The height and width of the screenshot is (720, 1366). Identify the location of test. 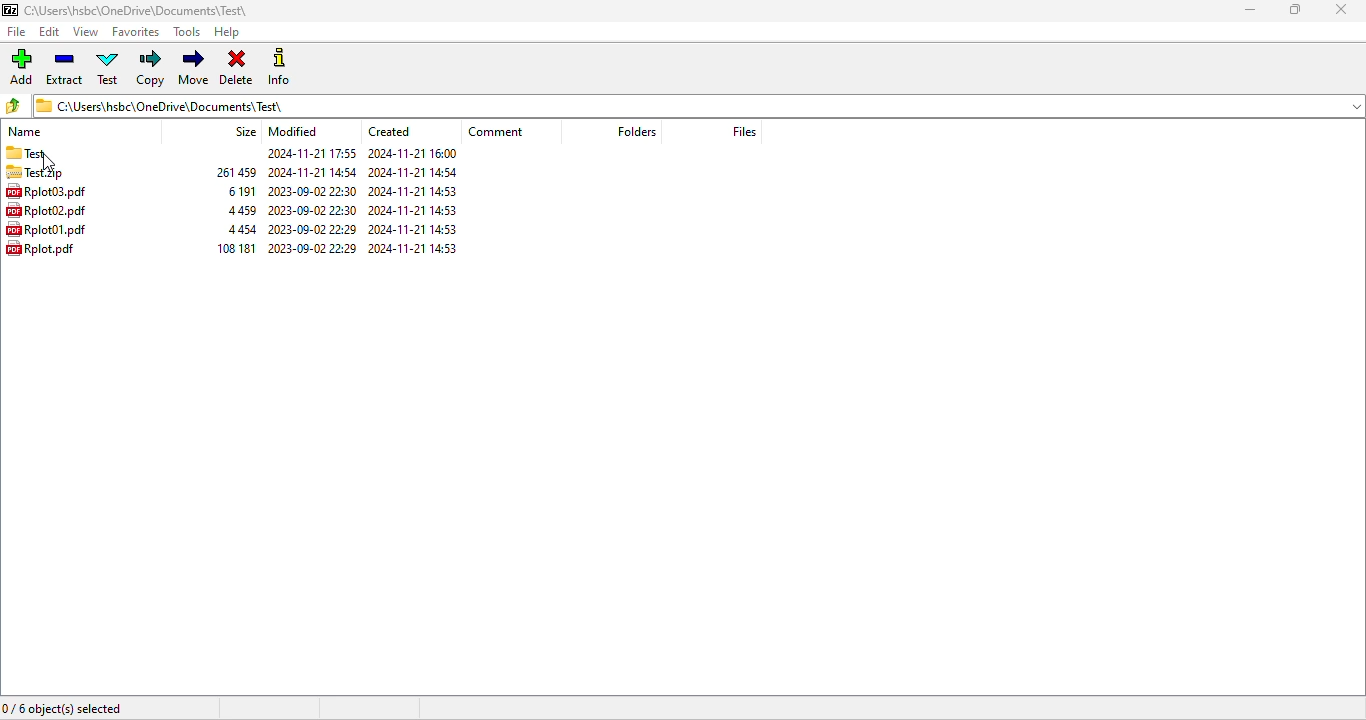
(107, 67).